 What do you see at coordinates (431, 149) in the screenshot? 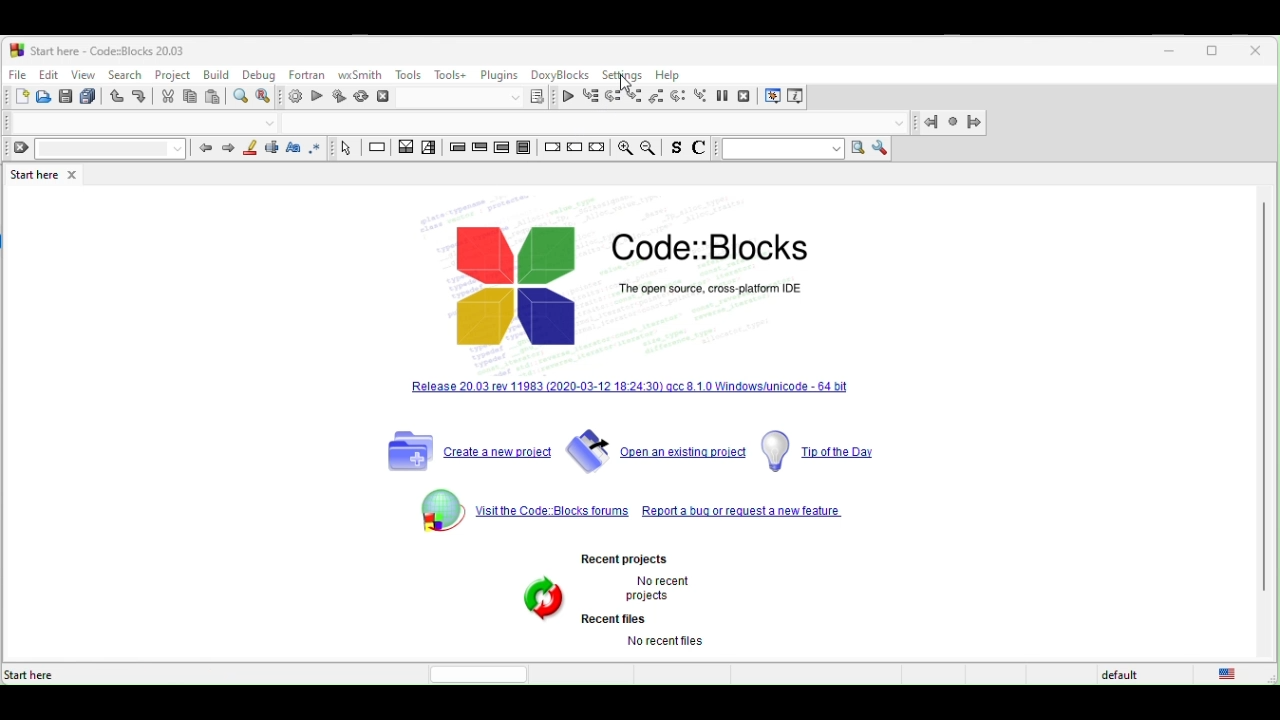
I see `selection` at bounding box center [431, 149].